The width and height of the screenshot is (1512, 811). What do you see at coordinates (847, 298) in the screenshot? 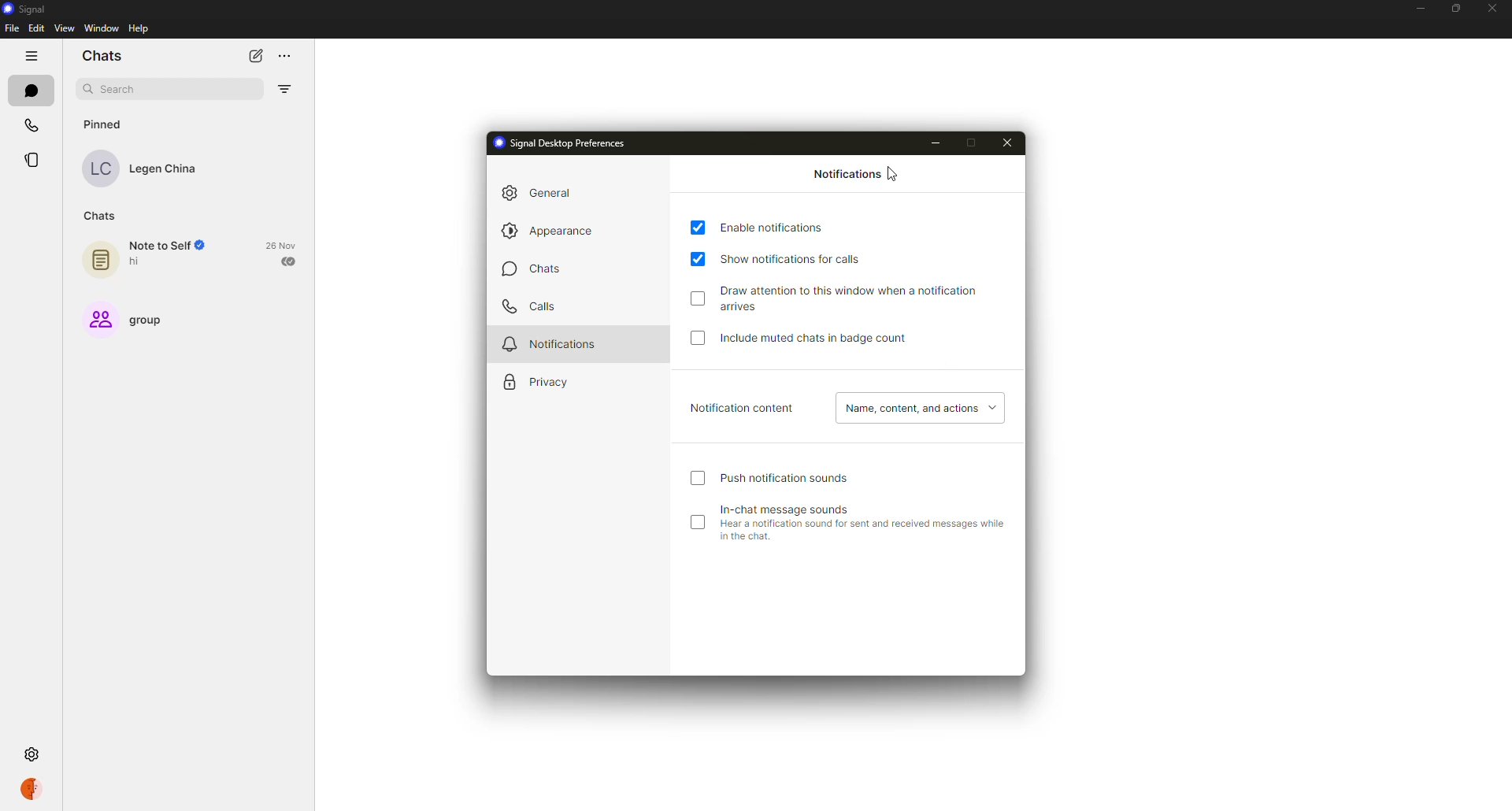
I see `draw attention to this window when notification arrives` at bounding box center [847, 298].